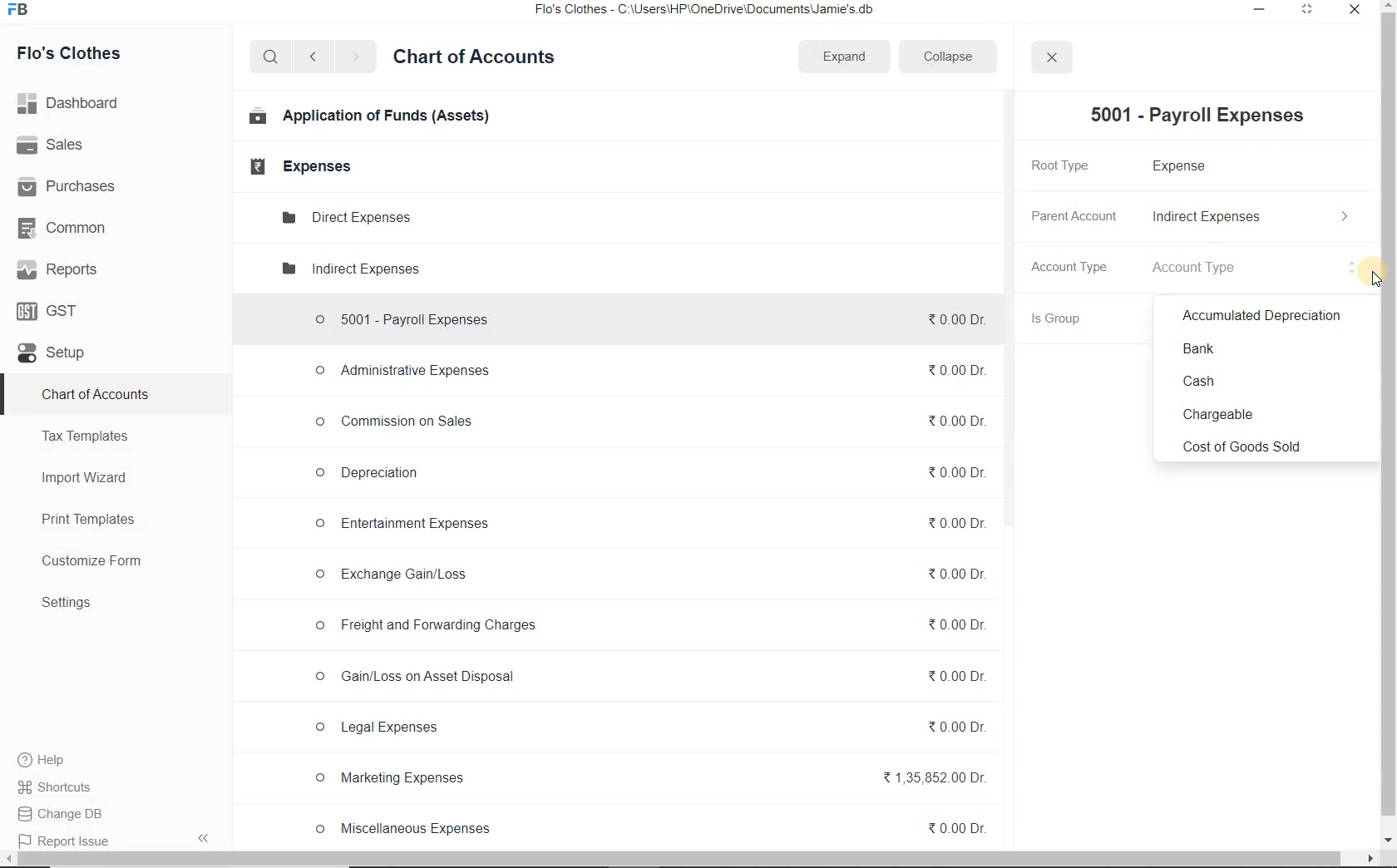 The image size is (1397, 868). Describe the element at coordinates (1188, 165) in the screenshot. I see `Expense` at that location.